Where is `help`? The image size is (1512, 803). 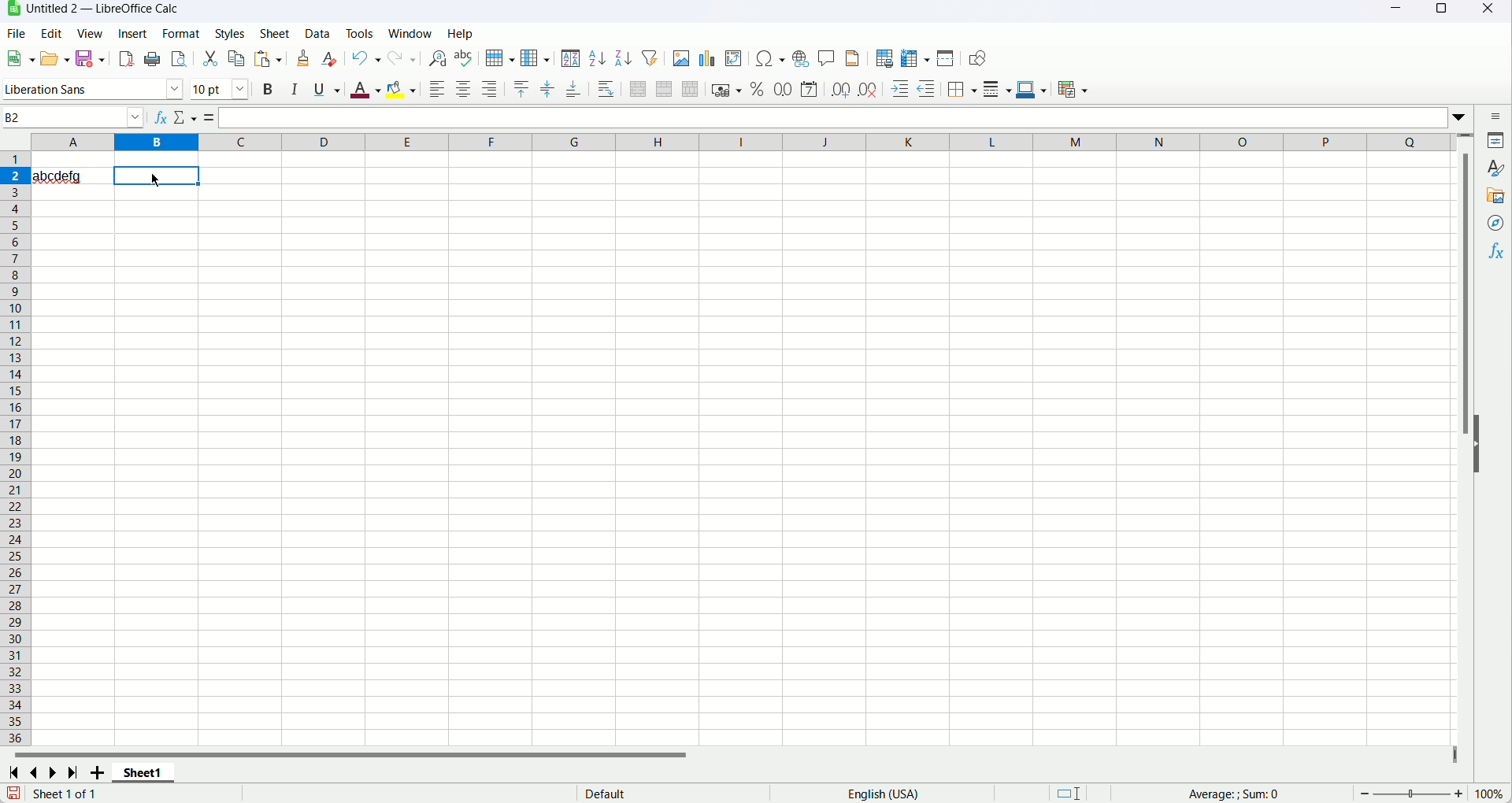 help is located at coordinates (461, 33).